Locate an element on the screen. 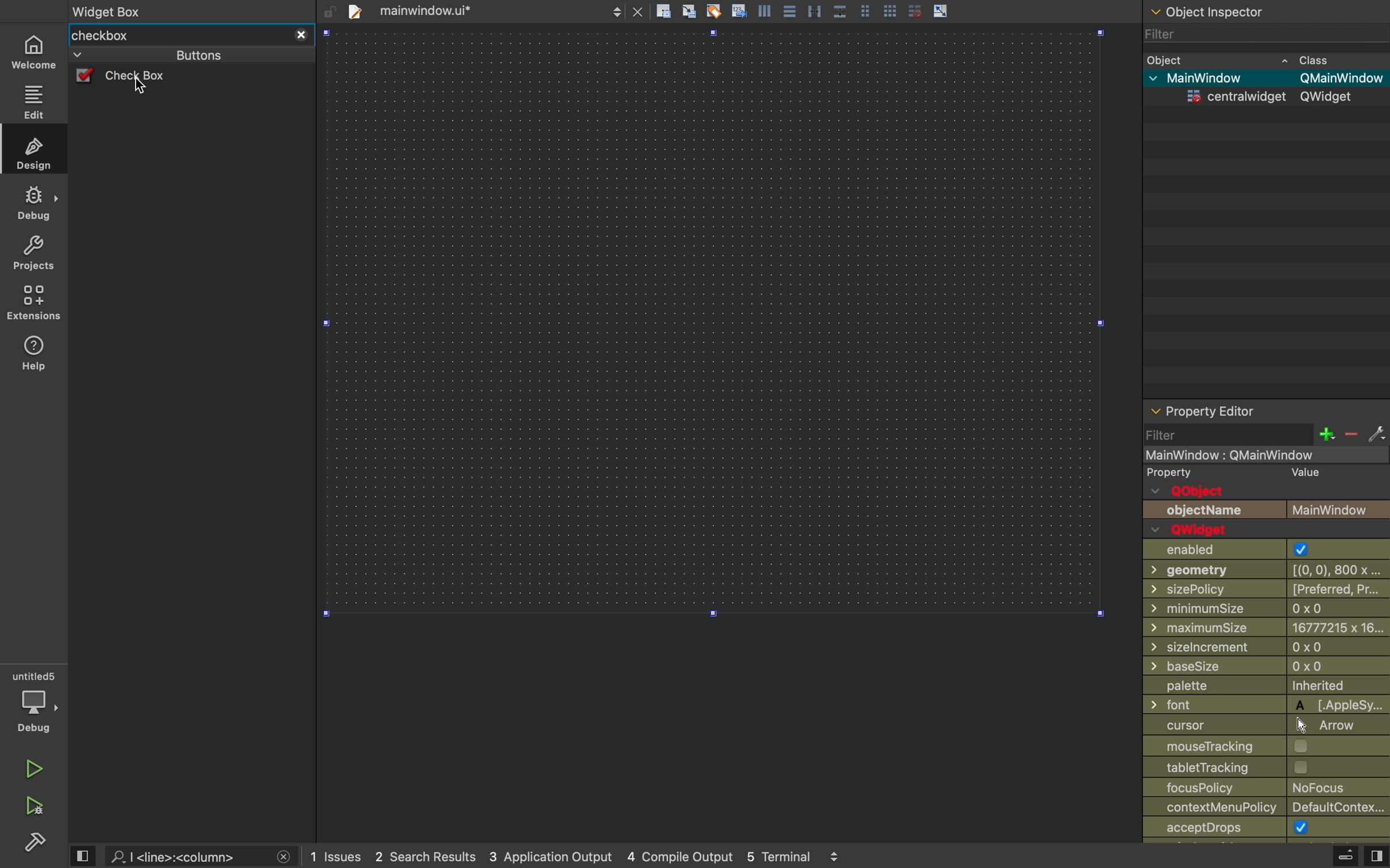 The height and width of the screenshot is (868, 1390). object is located at coordinates (1249, 59).